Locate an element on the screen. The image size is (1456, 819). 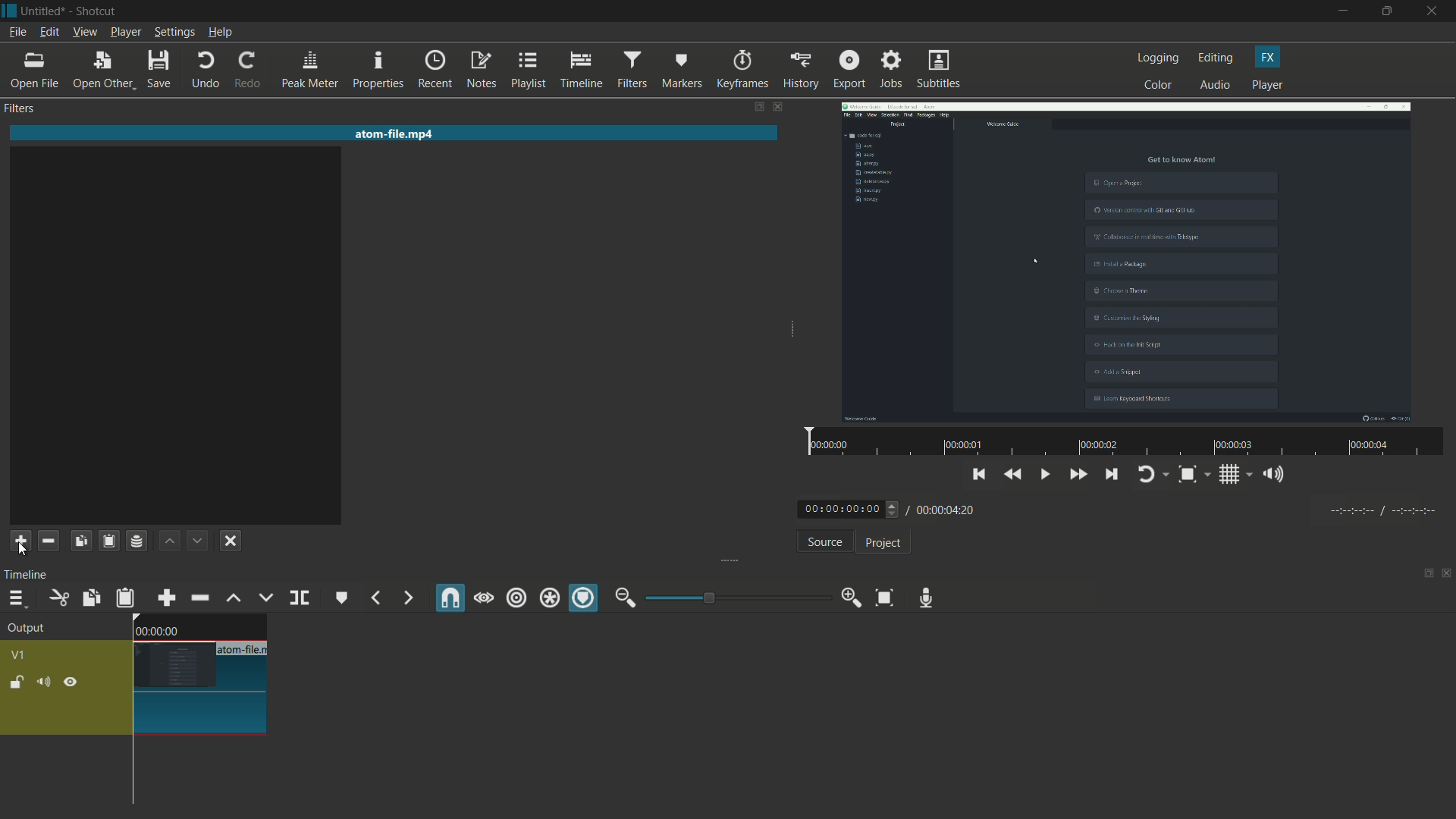
save is located at coordinates (161, 71).